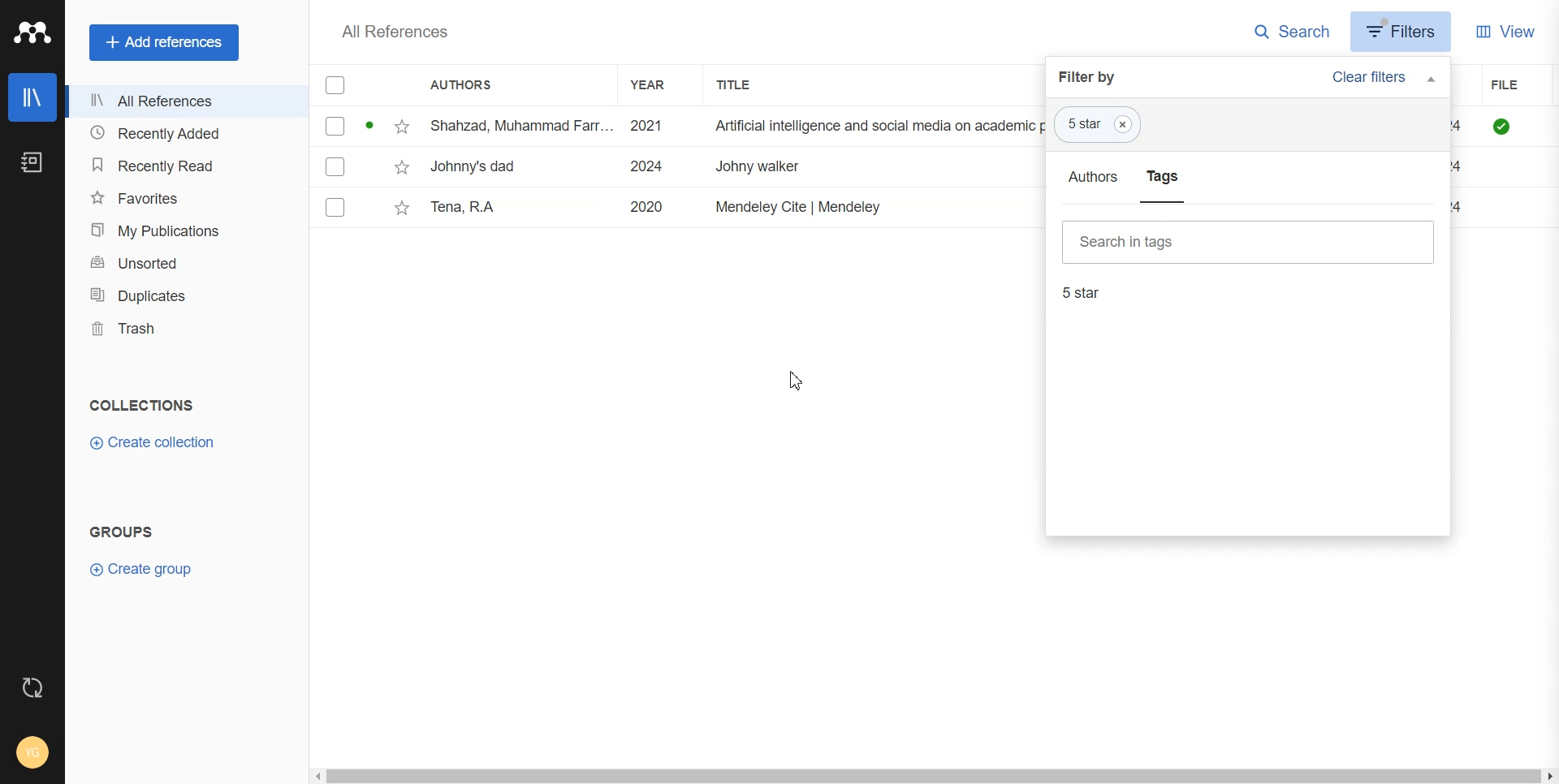 This screenshot has height=784, width=1559. I want to click on Library, so click(33, 97).